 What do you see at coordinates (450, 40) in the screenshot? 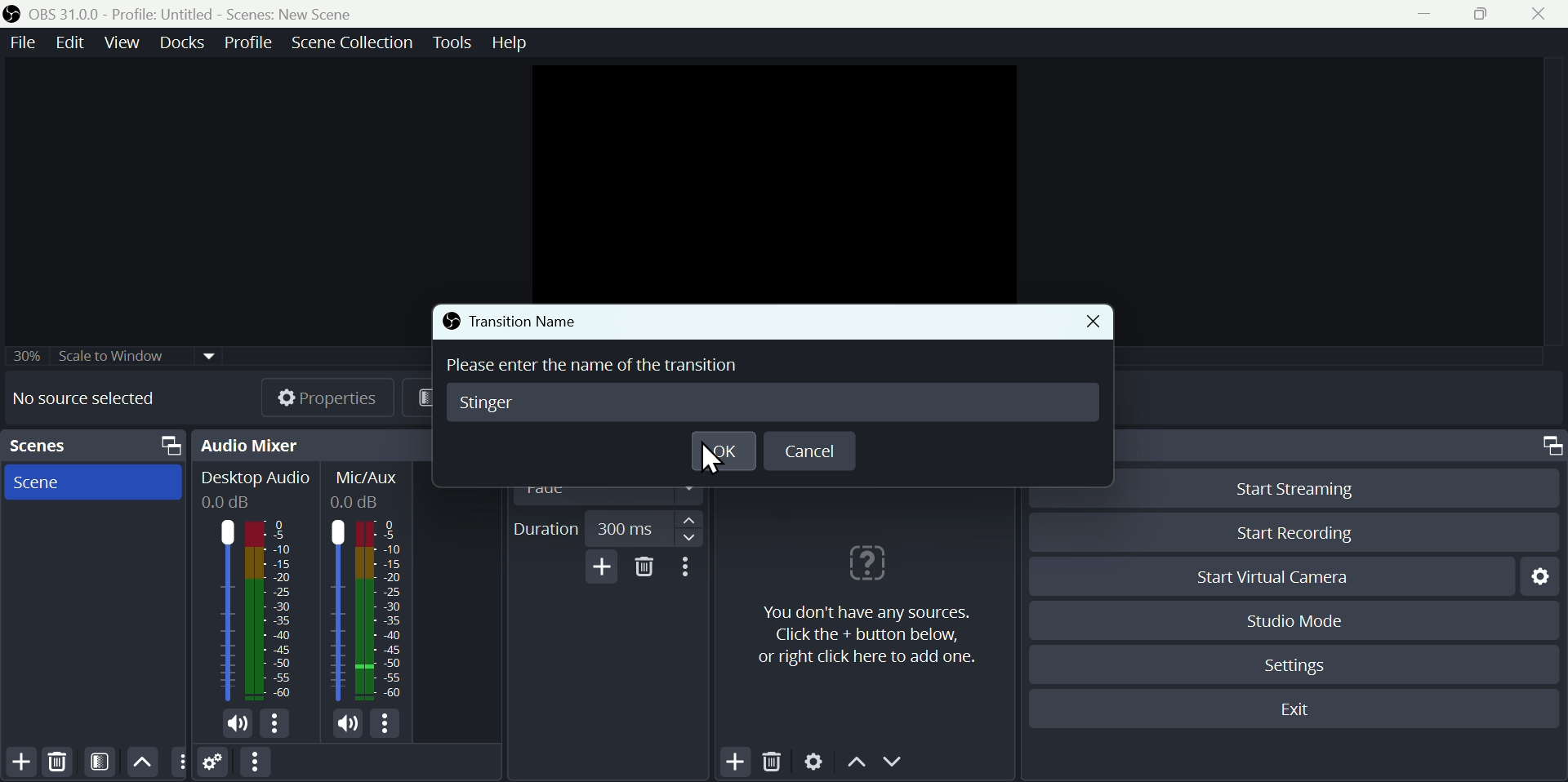
I see `` at bounding box center [450, 40].